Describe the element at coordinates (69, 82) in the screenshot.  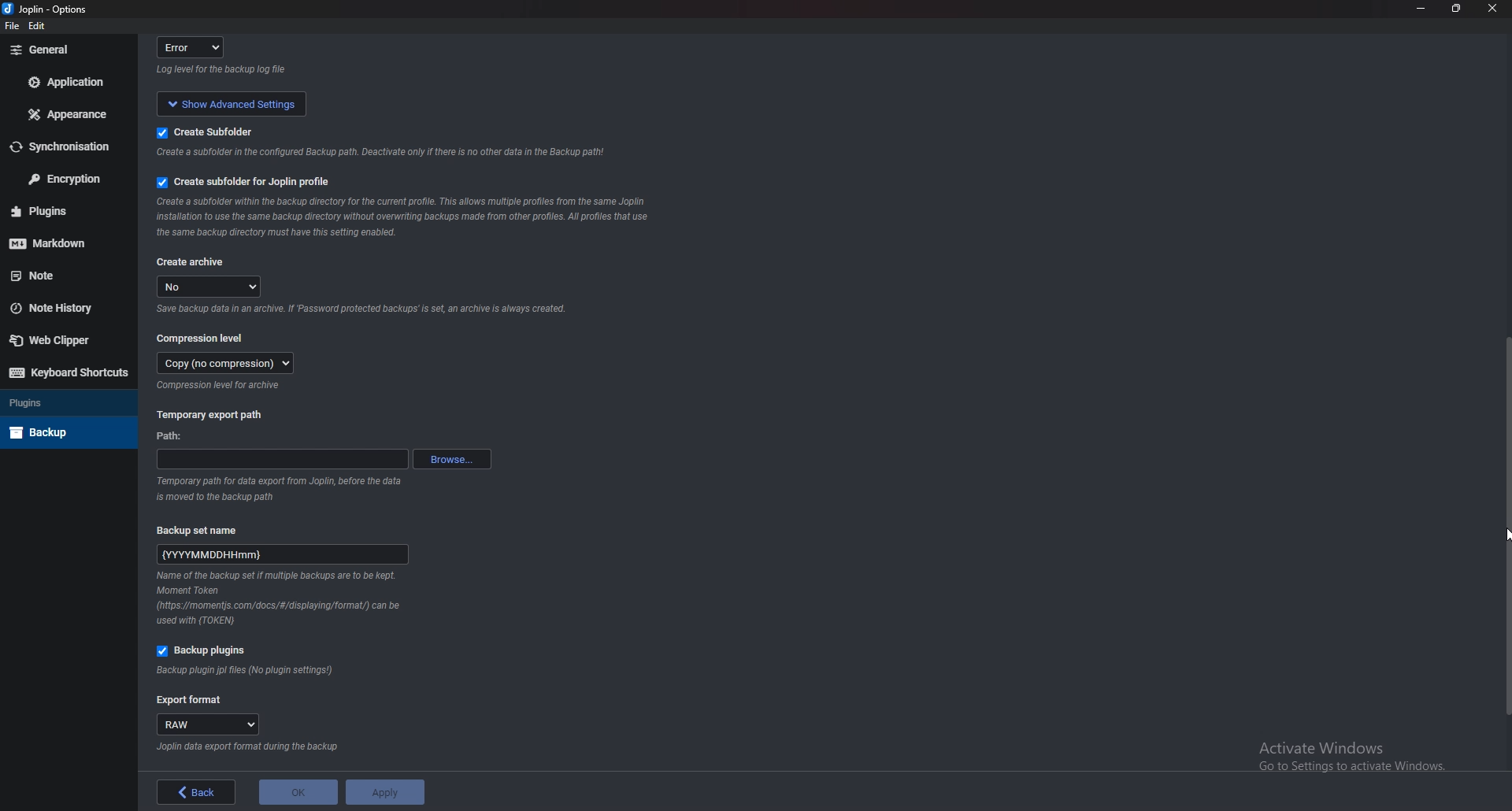
I see `Application` at that location.